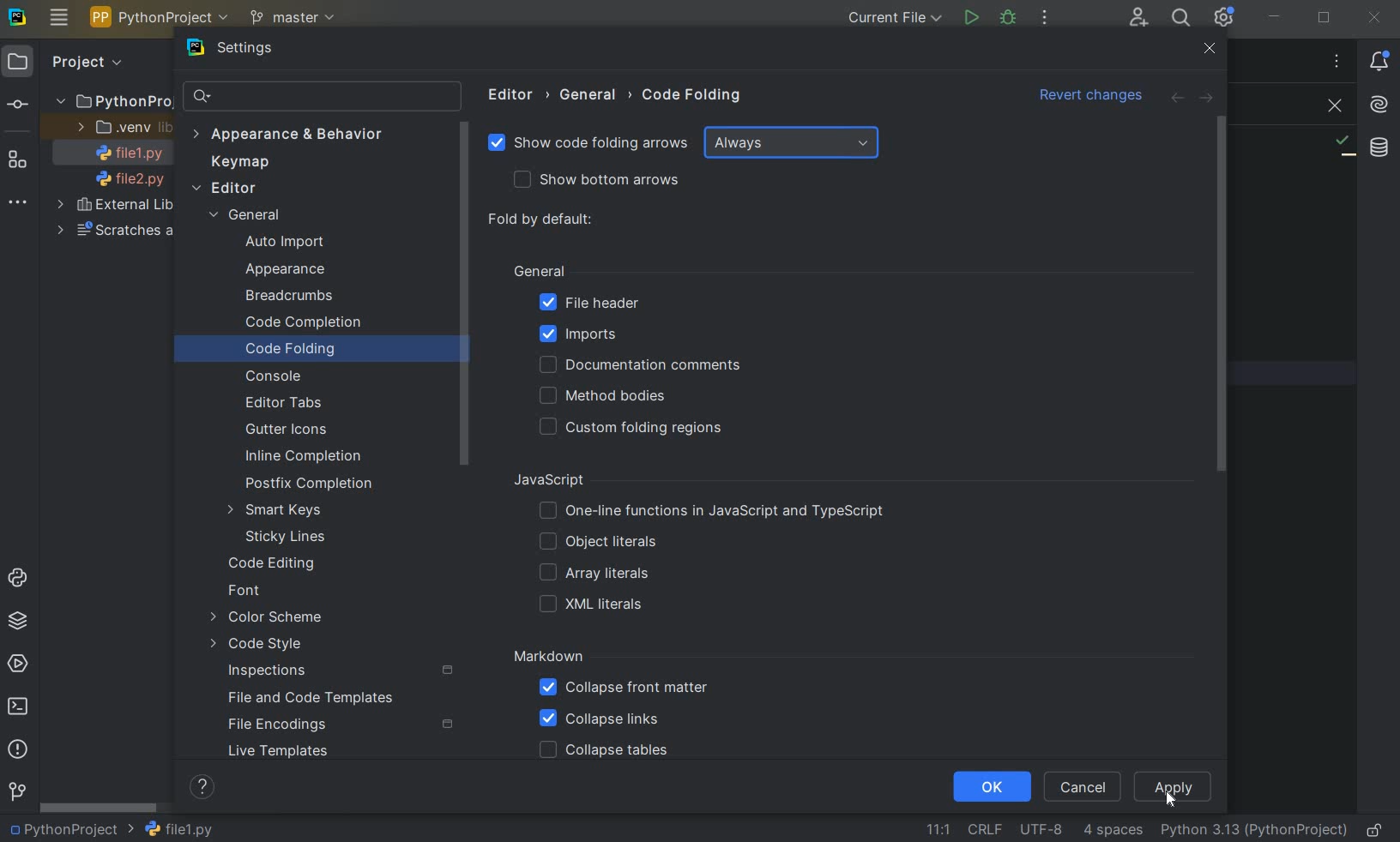  Describe the element at coordinates (936, 827) in the screenshot. I see `GO TO LINE` at that location.